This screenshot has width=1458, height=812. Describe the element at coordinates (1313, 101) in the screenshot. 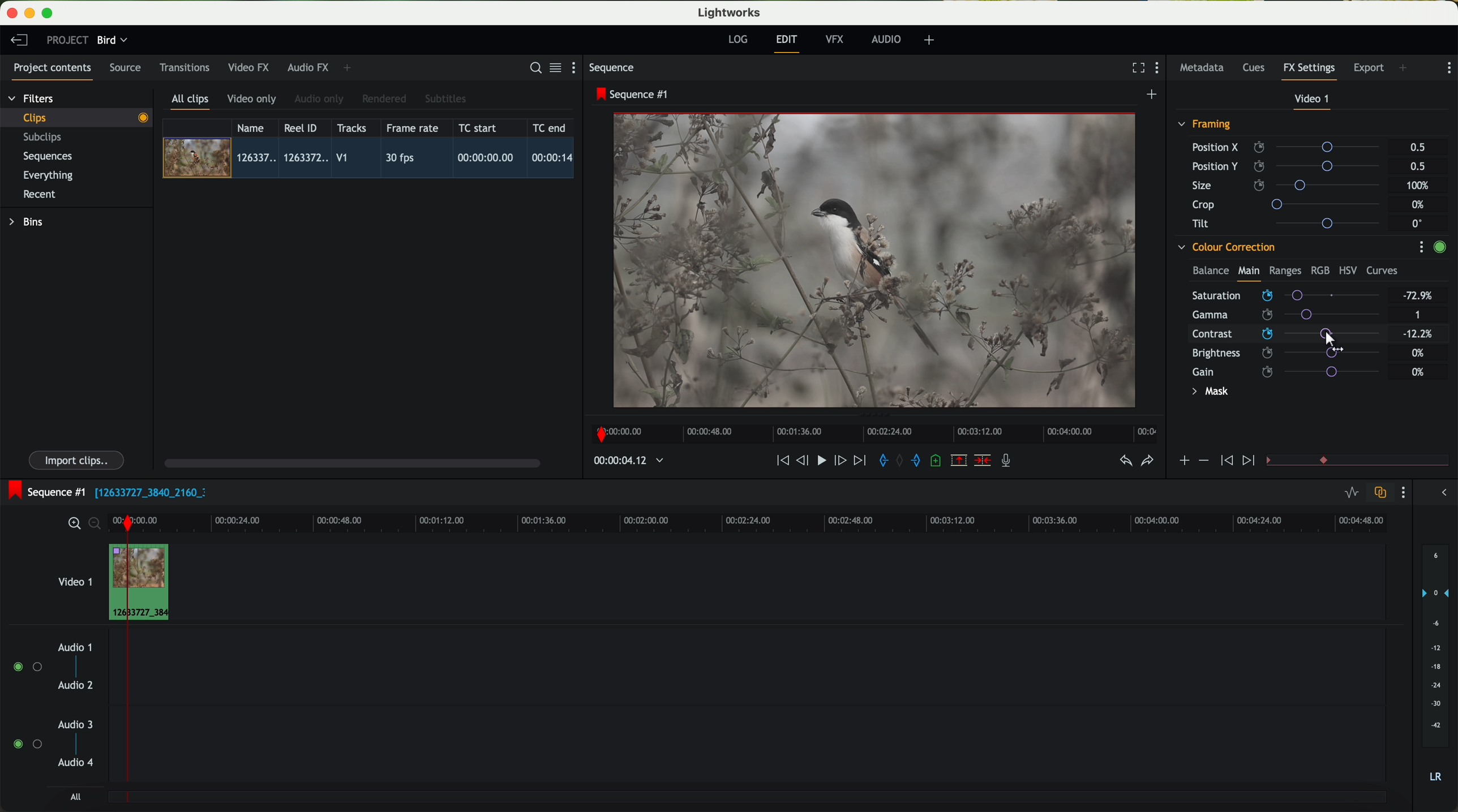

I see `video 1` at that location.